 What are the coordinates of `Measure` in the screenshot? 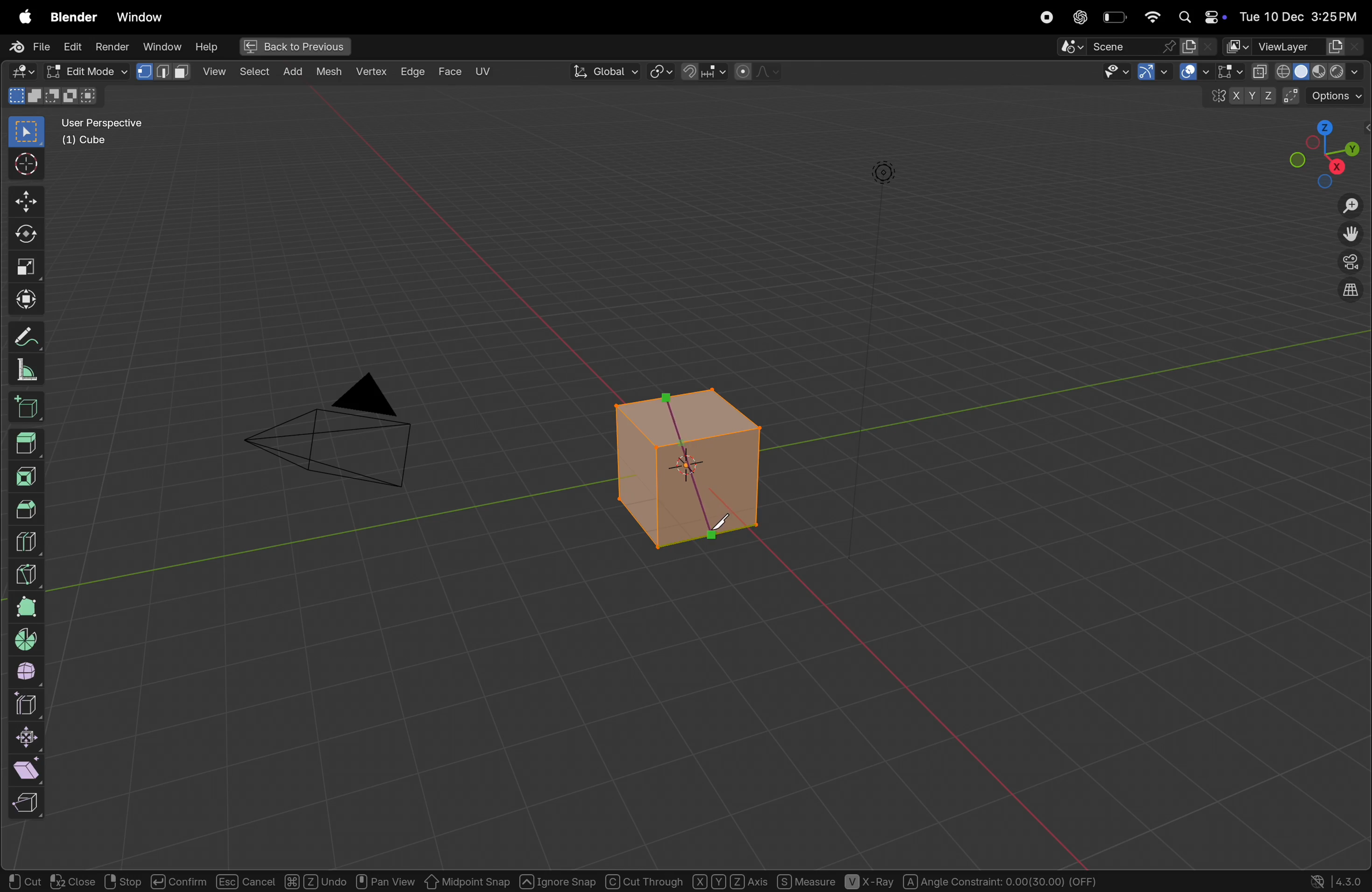 It's located at (805, 880).